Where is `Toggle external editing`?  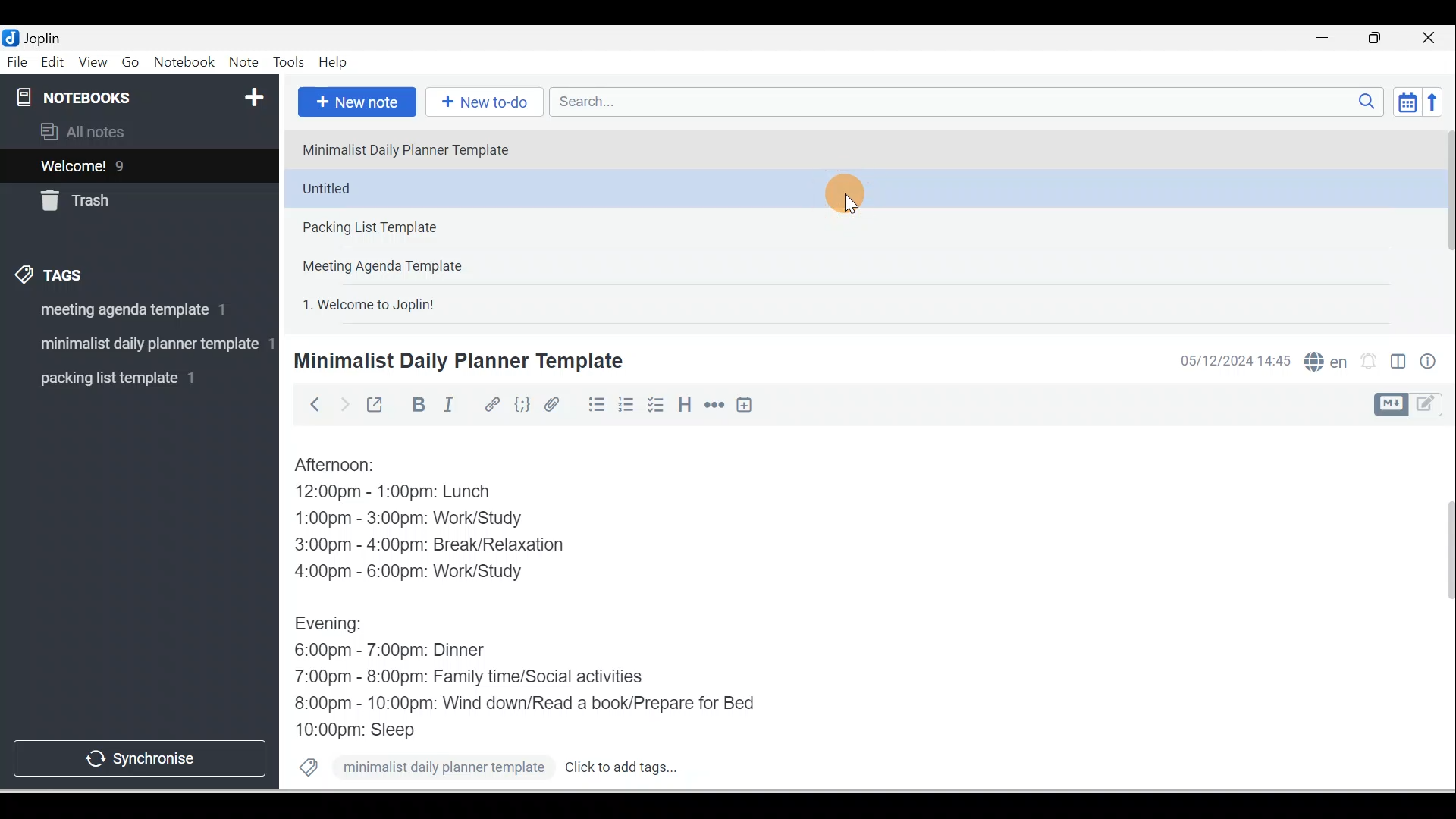
Toggle external editing is located at coordinates (377, 408).